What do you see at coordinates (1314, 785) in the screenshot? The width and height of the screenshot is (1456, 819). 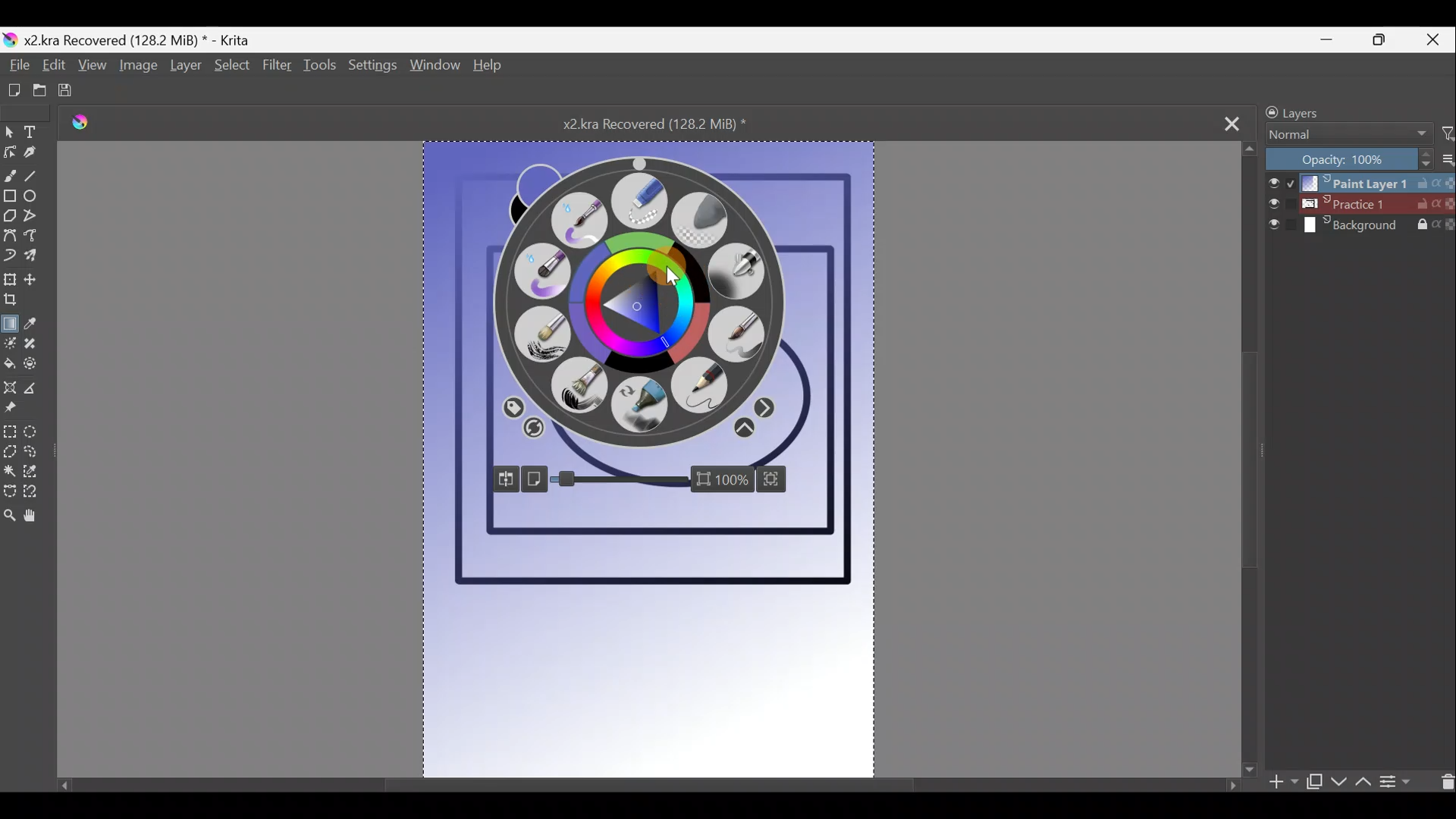 I see `Duplicate layer/mask` at bounding box center [1314, 785].